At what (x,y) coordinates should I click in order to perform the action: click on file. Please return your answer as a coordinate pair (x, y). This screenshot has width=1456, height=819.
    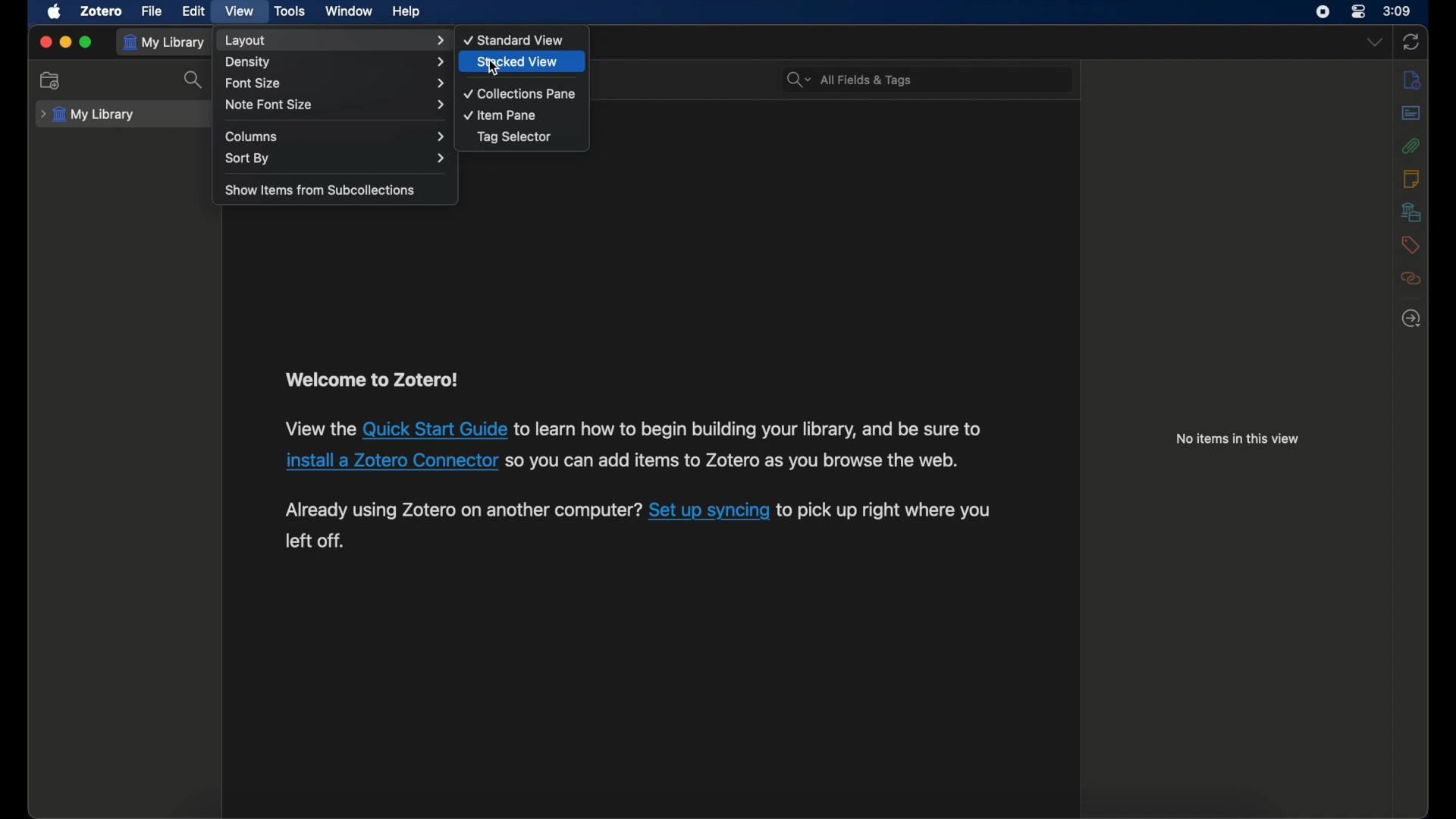
    Looking at the image, I should click on (151, 11).